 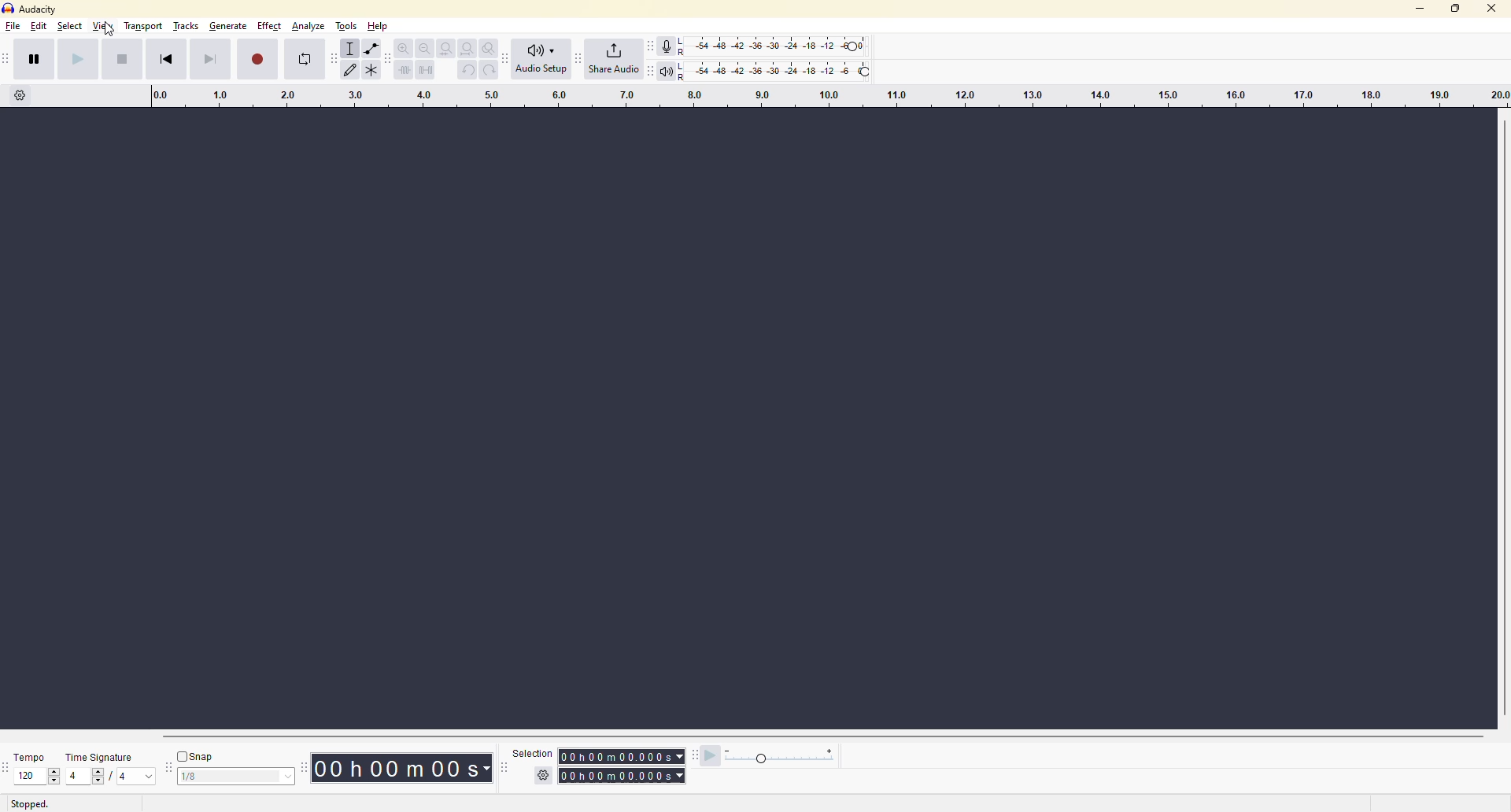 I want to click on help, so click(x=379, y=24).